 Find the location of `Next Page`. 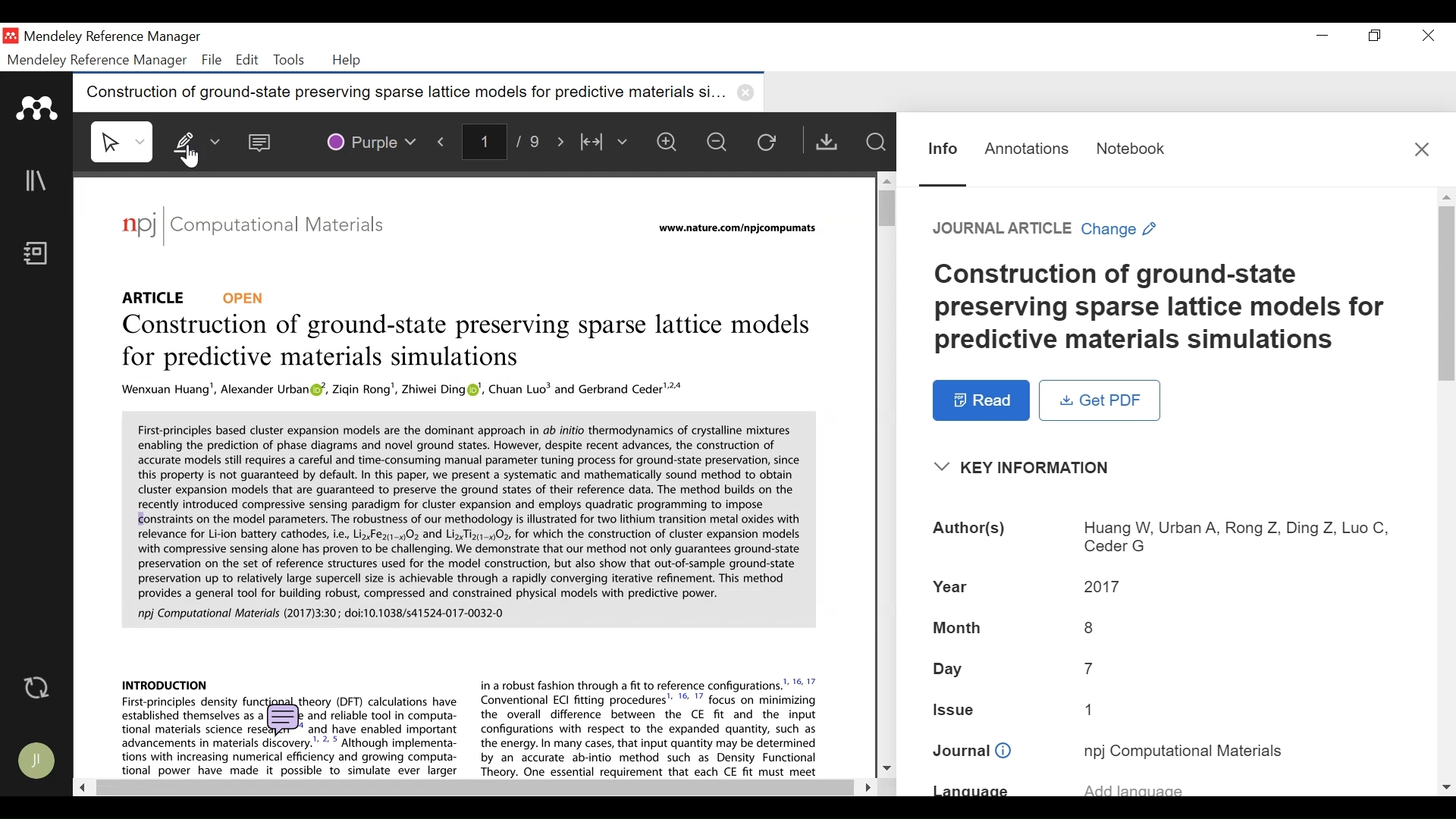

Next Page is located at coordinates (563, 140).